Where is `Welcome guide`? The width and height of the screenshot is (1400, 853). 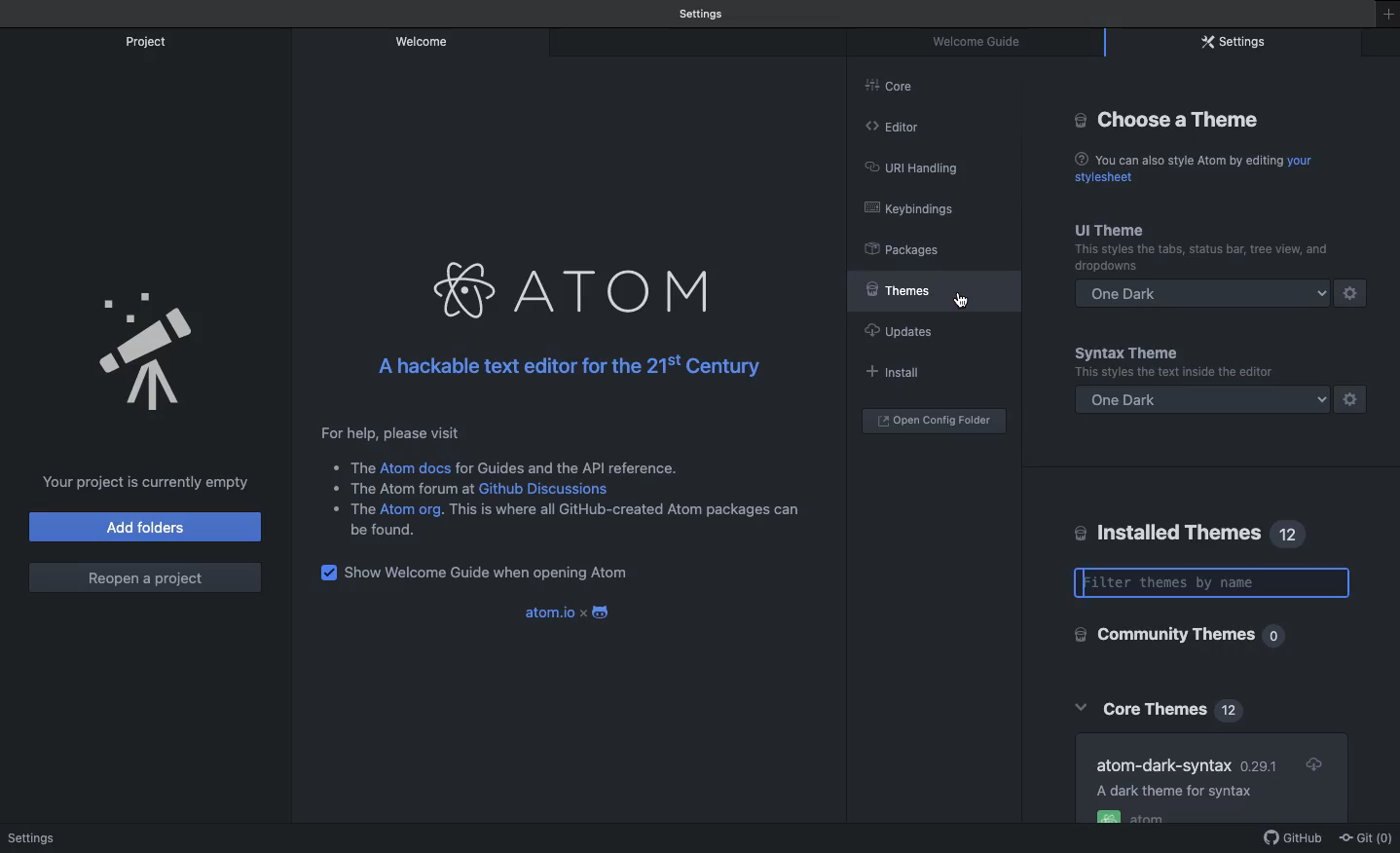
Welcome guide is located at coordinates (704, 13).